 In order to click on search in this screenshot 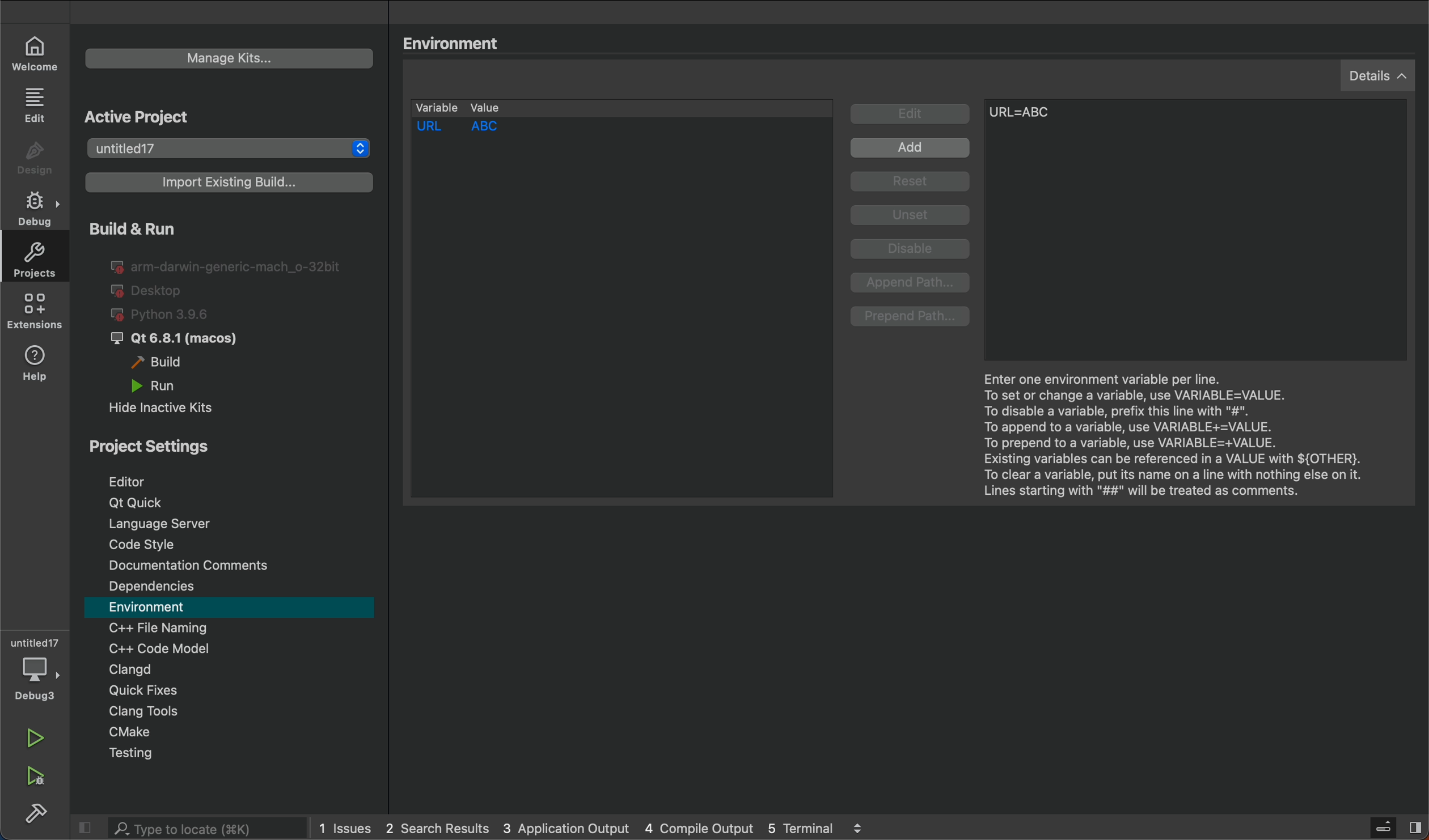, I will do `click(184, 828)`.